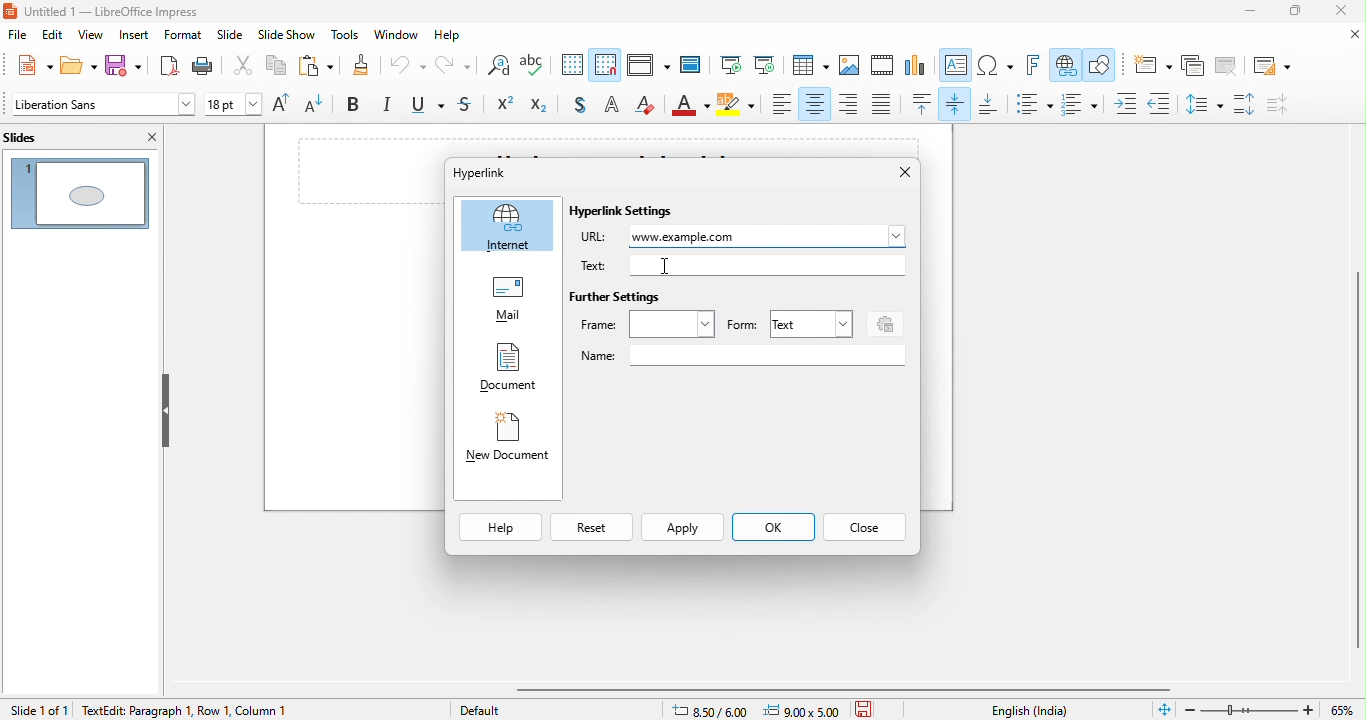 The height and width of the screenshot is (720, 1366). Describe the element at coordinates (782, 104) in the screenshot. I see `align left` at that location.